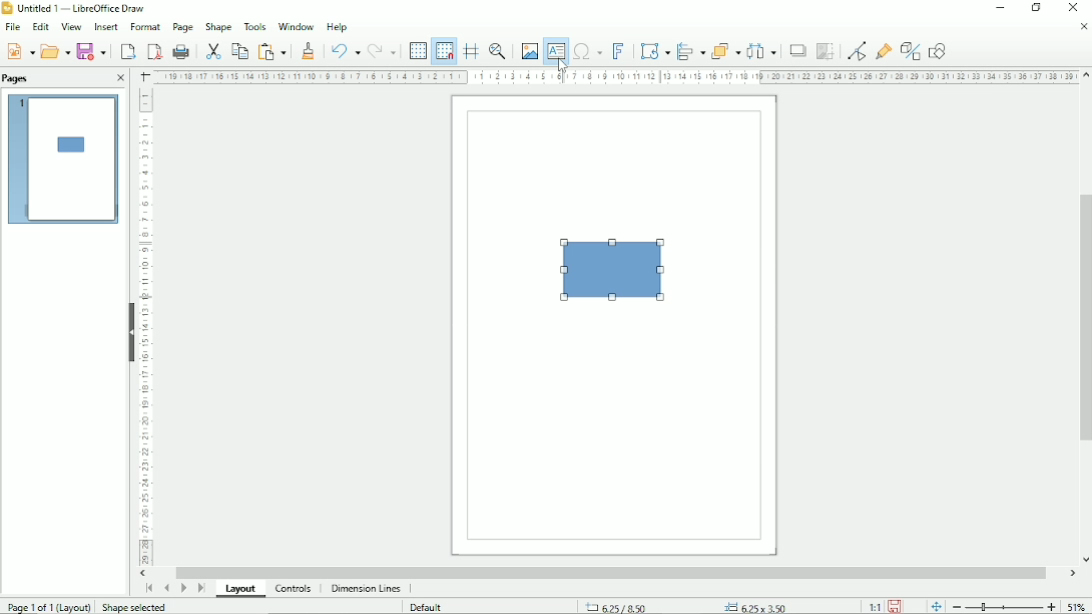  I want to click on Insert fontwork text, so click(620, 51).